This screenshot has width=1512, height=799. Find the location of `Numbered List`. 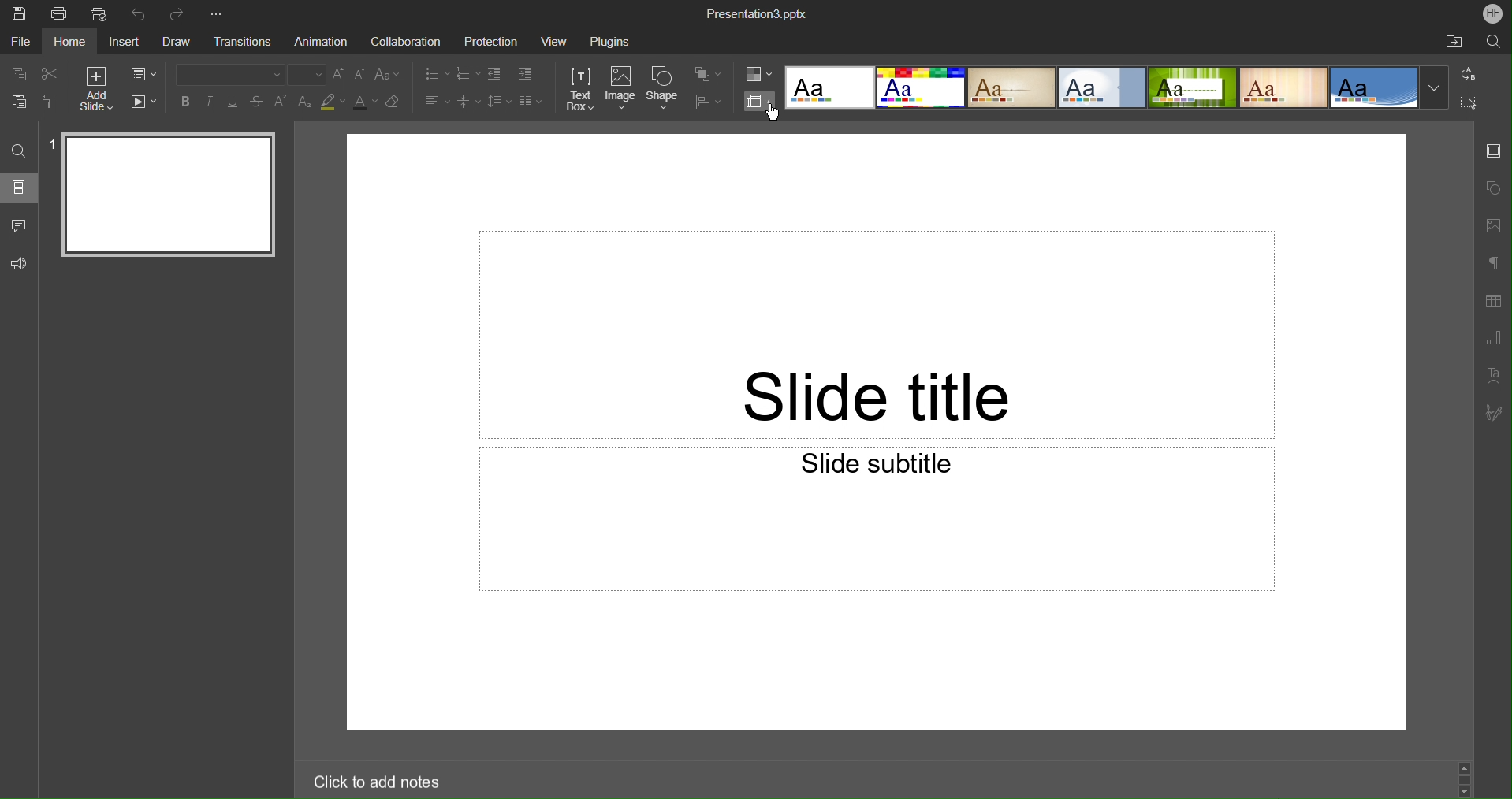

Numbered List is located at coordinates (467, 73).